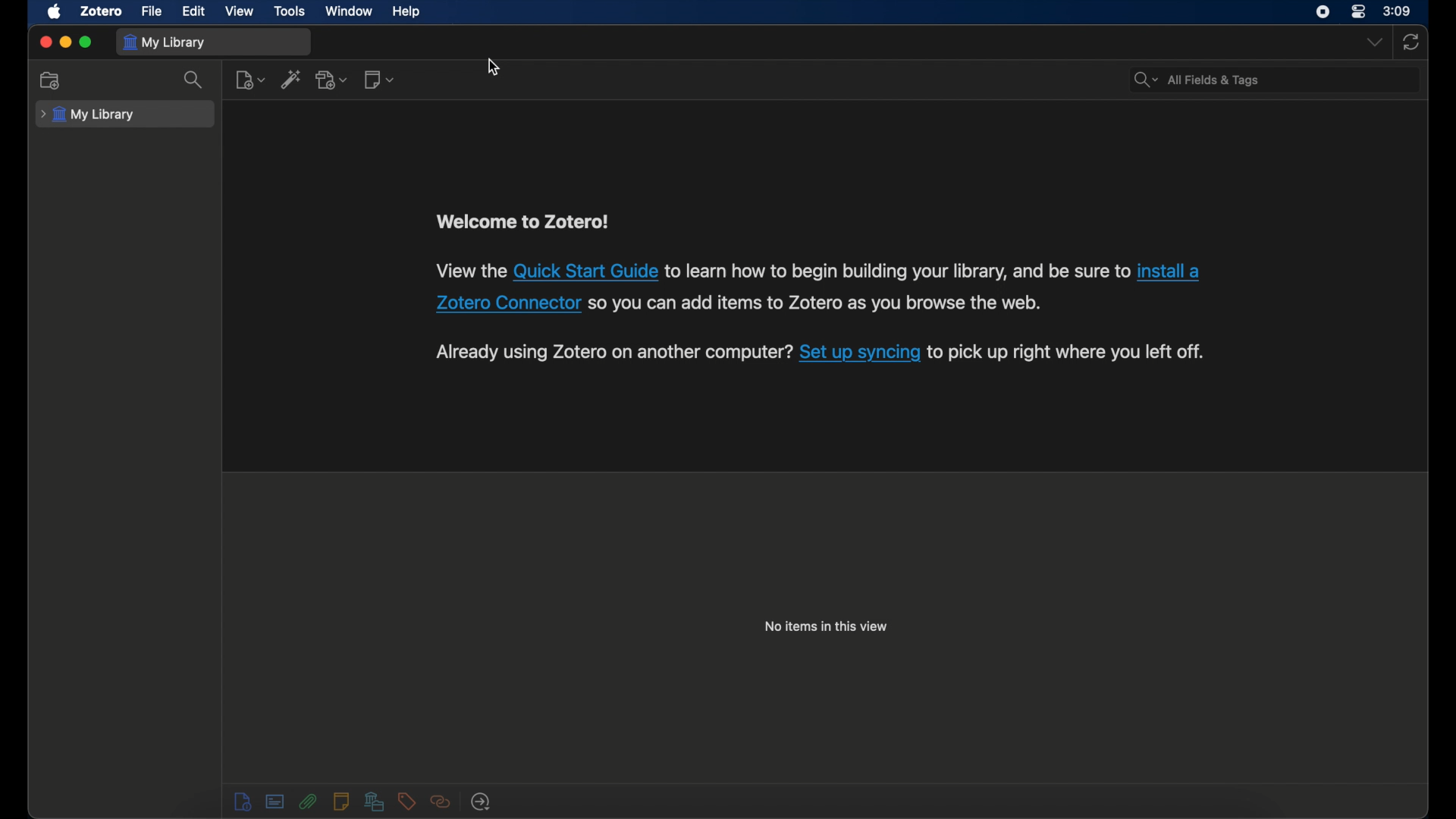  I want to click on video, so click(238, 10).